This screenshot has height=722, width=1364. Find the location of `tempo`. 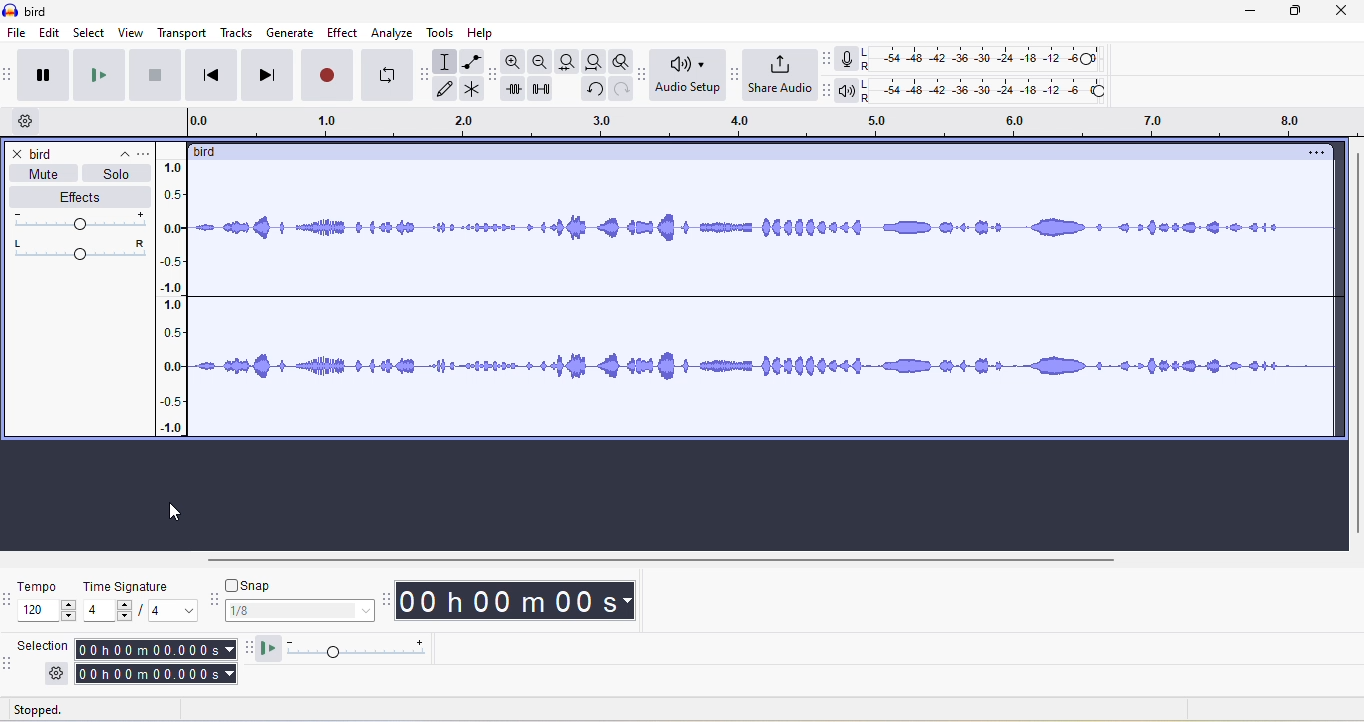

tempo is located at coordinates (47, 602).